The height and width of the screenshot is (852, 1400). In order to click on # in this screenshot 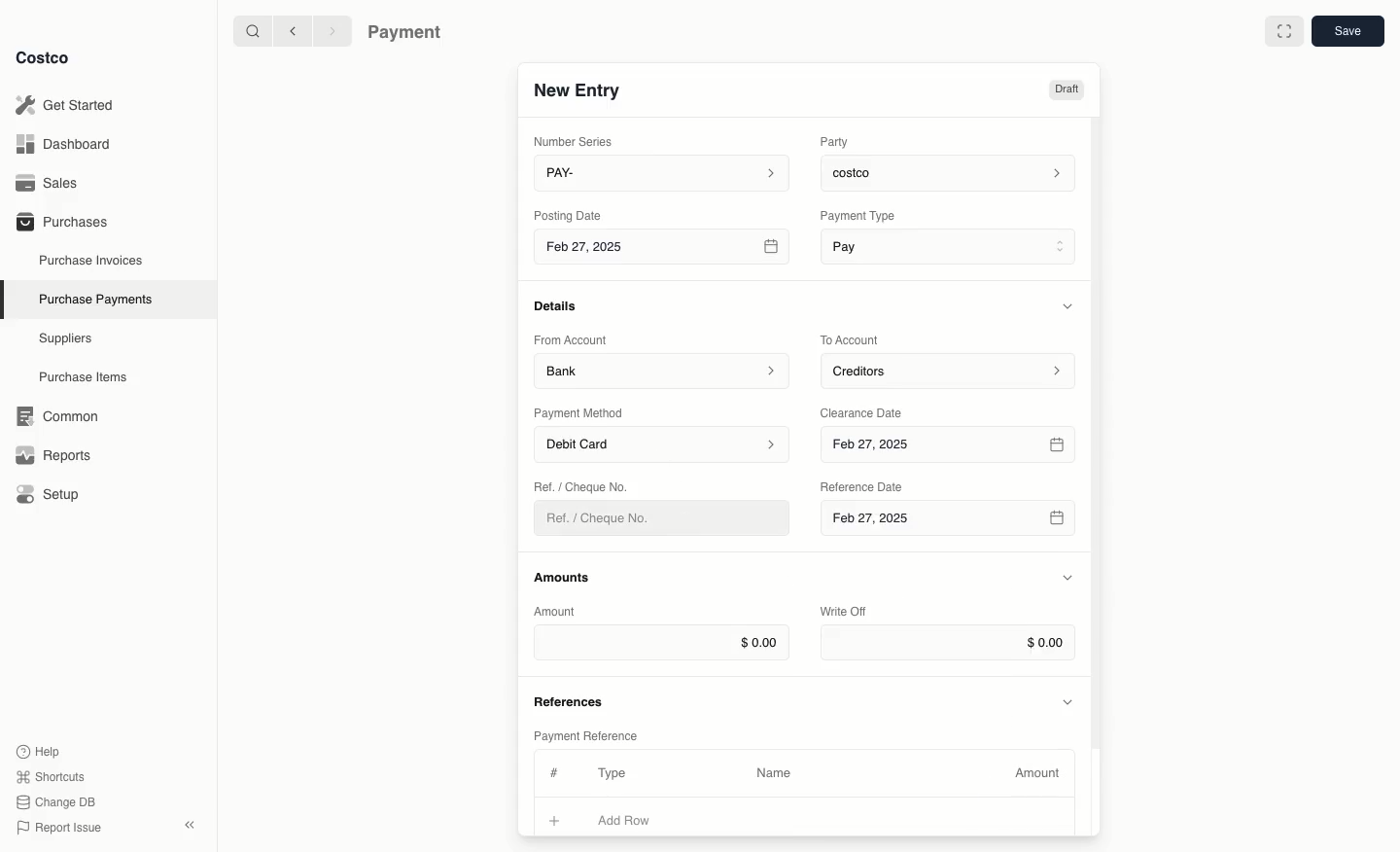, I will do `click(551, 770)`.